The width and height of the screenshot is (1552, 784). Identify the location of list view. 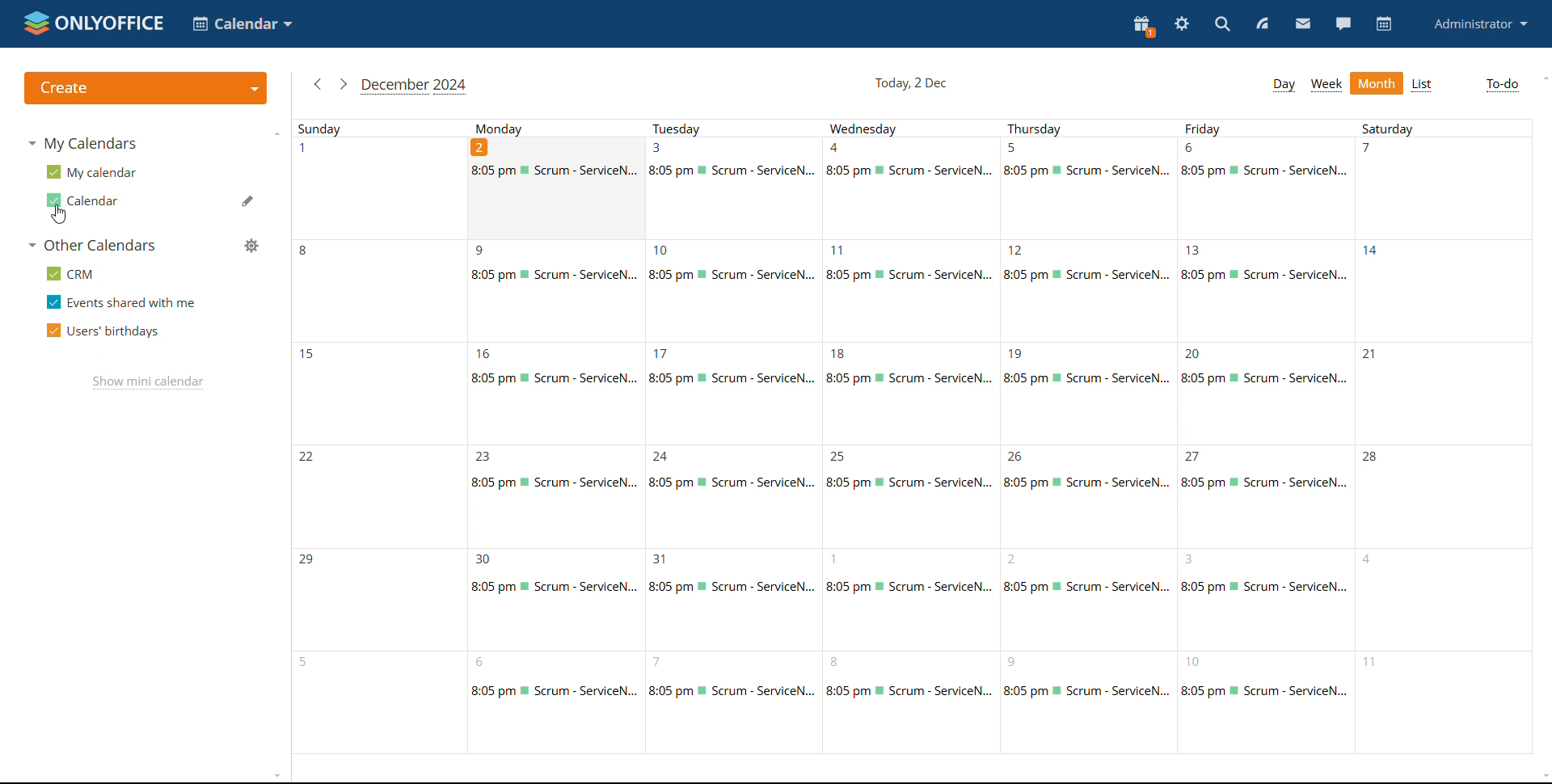
(1421, 85).